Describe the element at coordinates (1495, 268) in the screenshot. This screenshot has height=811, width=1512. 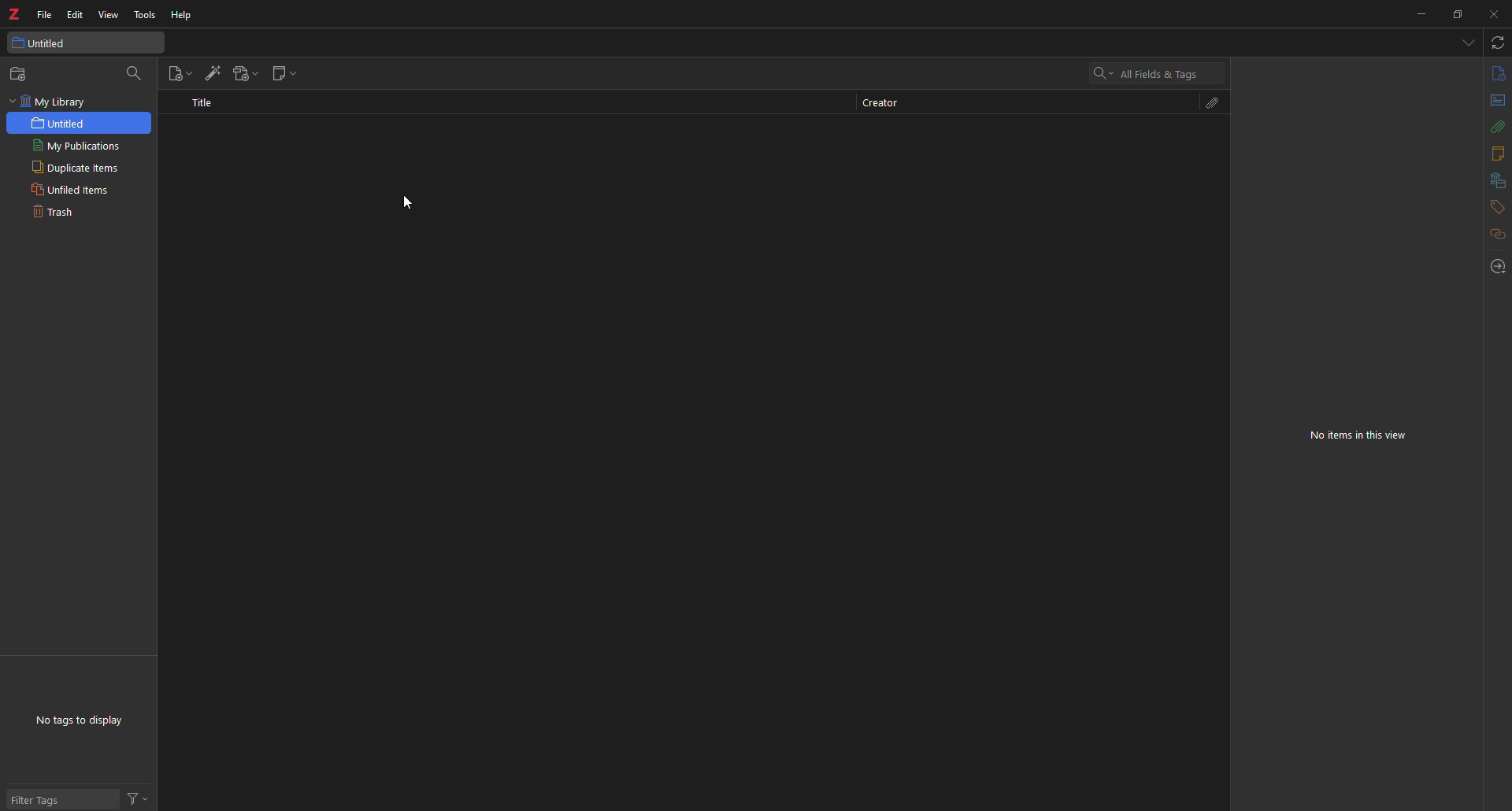
I see `locate` at that location.